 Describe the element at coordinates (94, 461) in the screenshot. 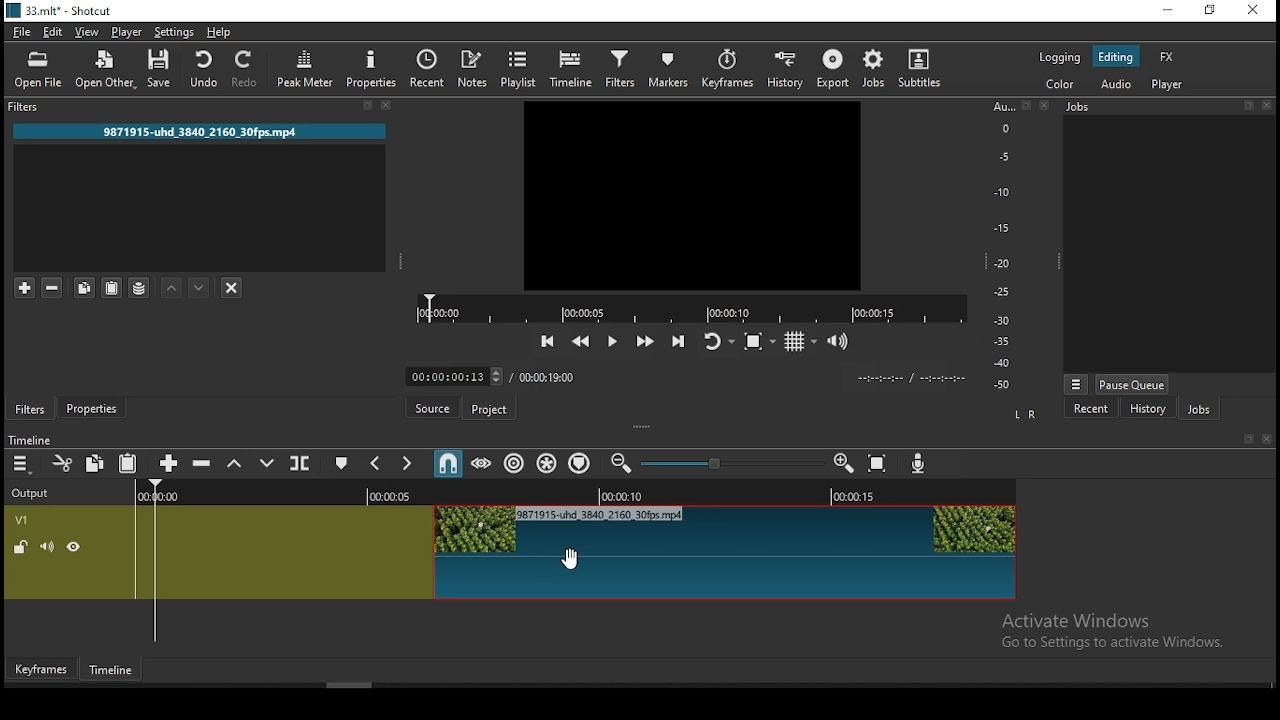

I see `copy` at that location.